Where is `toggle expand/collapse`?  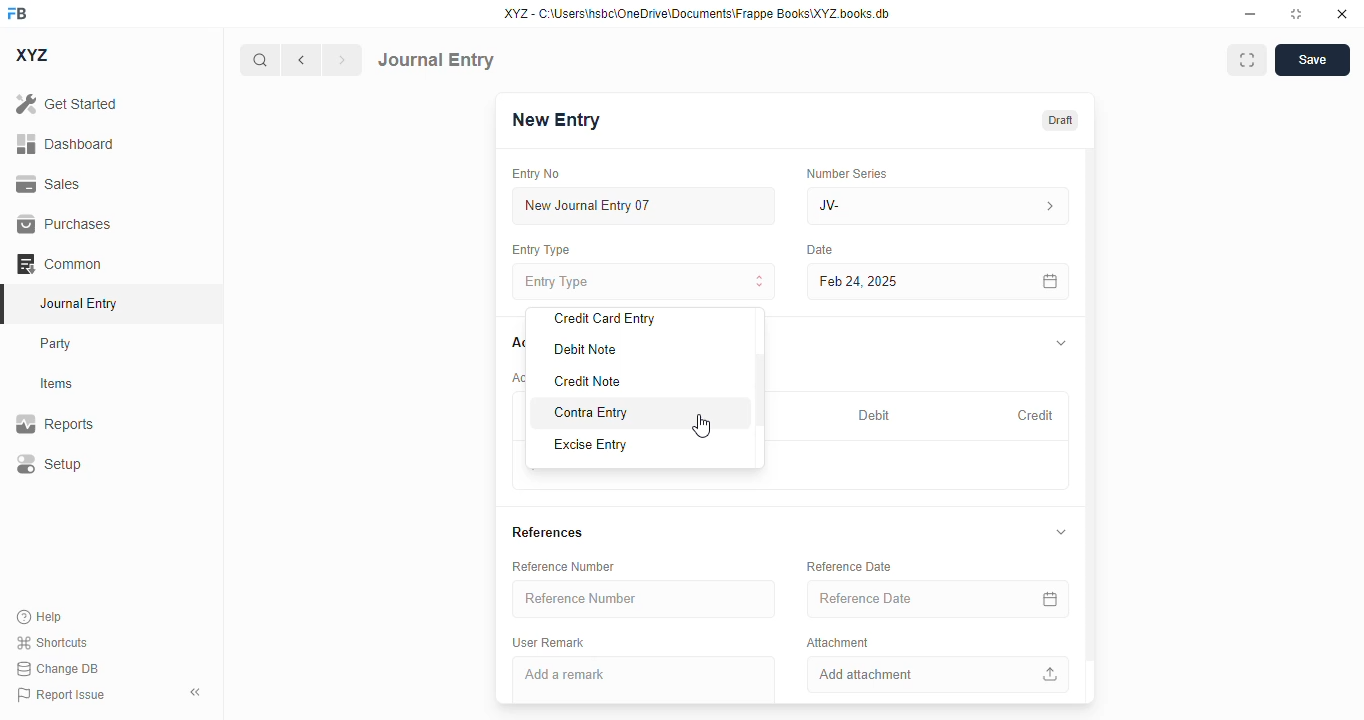
toggle expand/collapse is located at coordinates (1063, 532).